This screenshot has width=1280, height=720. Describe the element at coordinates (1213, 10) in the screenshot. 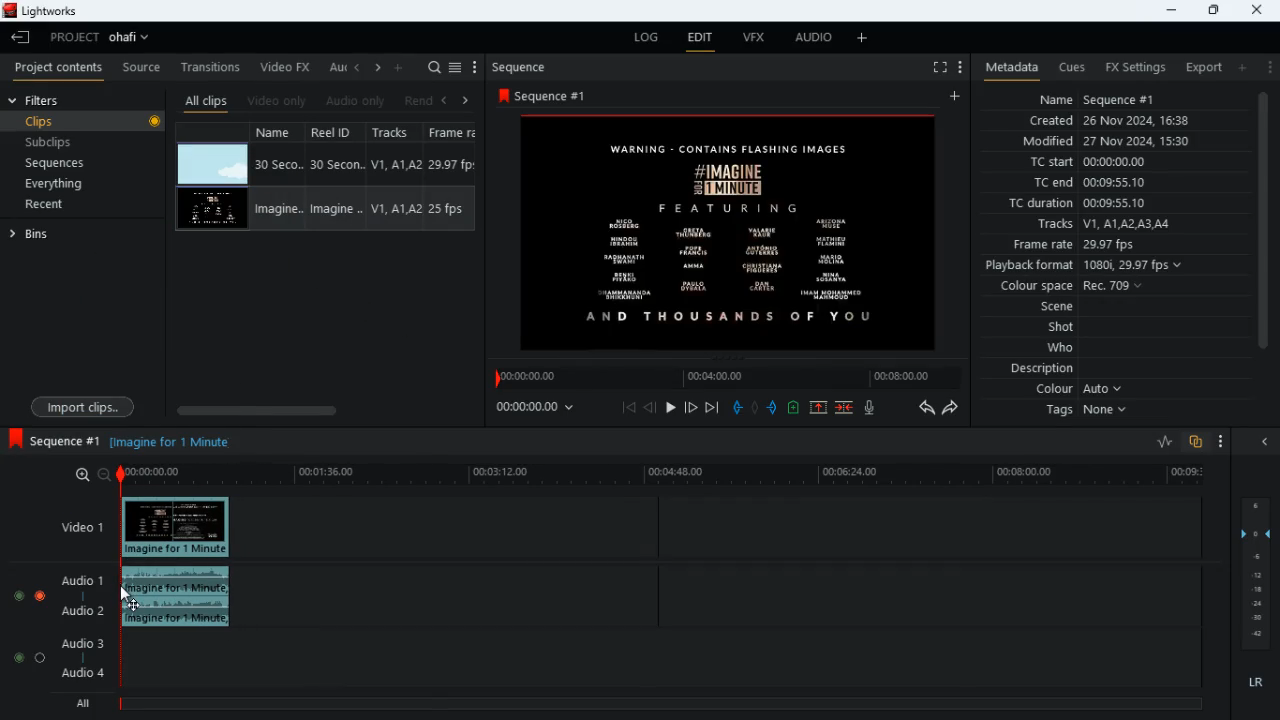

I see `maximize` at that location.